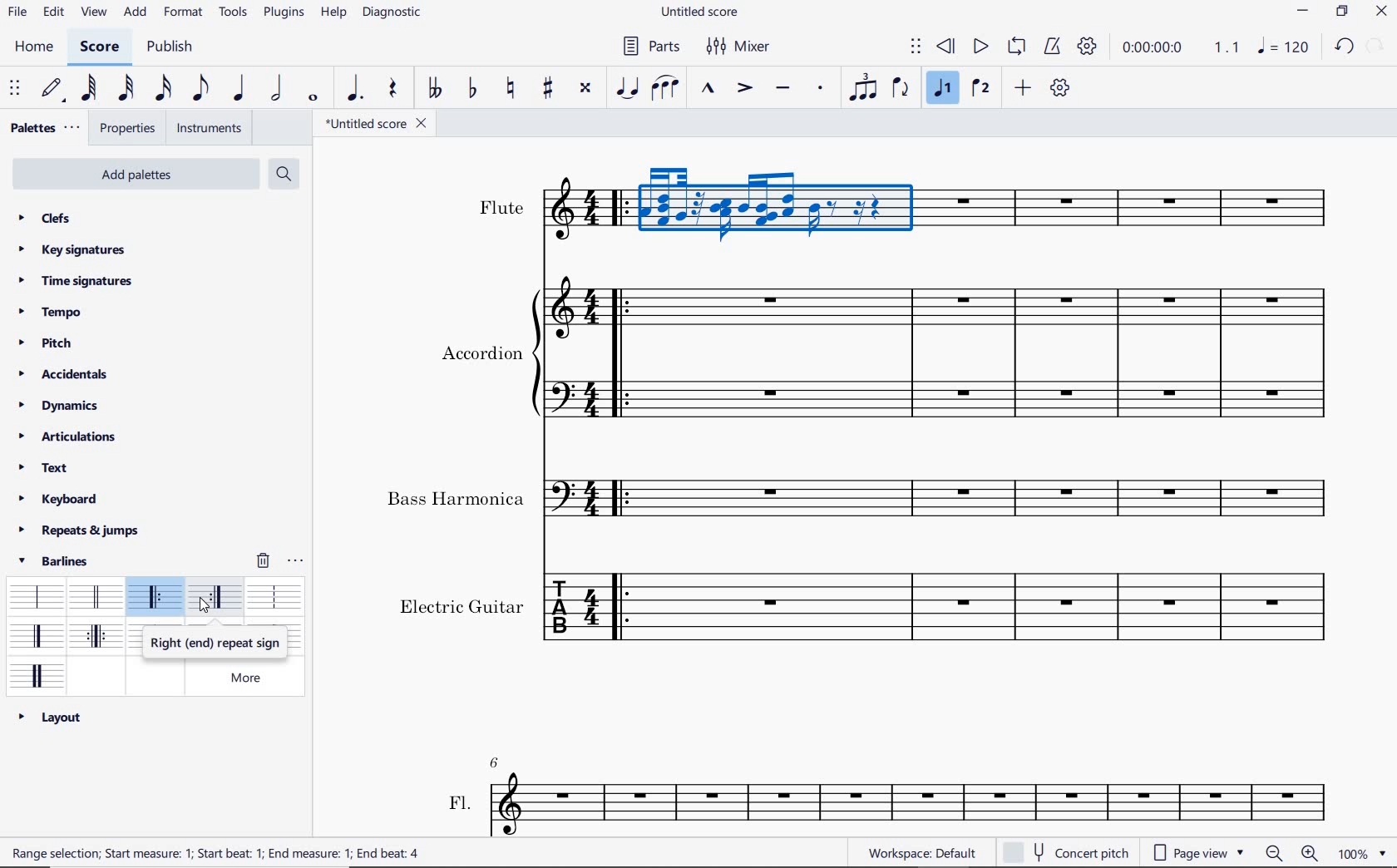  What do you see at coordinates (43, 128) in the screenshot?
I see `palettes` at bounding box center [43, 128].